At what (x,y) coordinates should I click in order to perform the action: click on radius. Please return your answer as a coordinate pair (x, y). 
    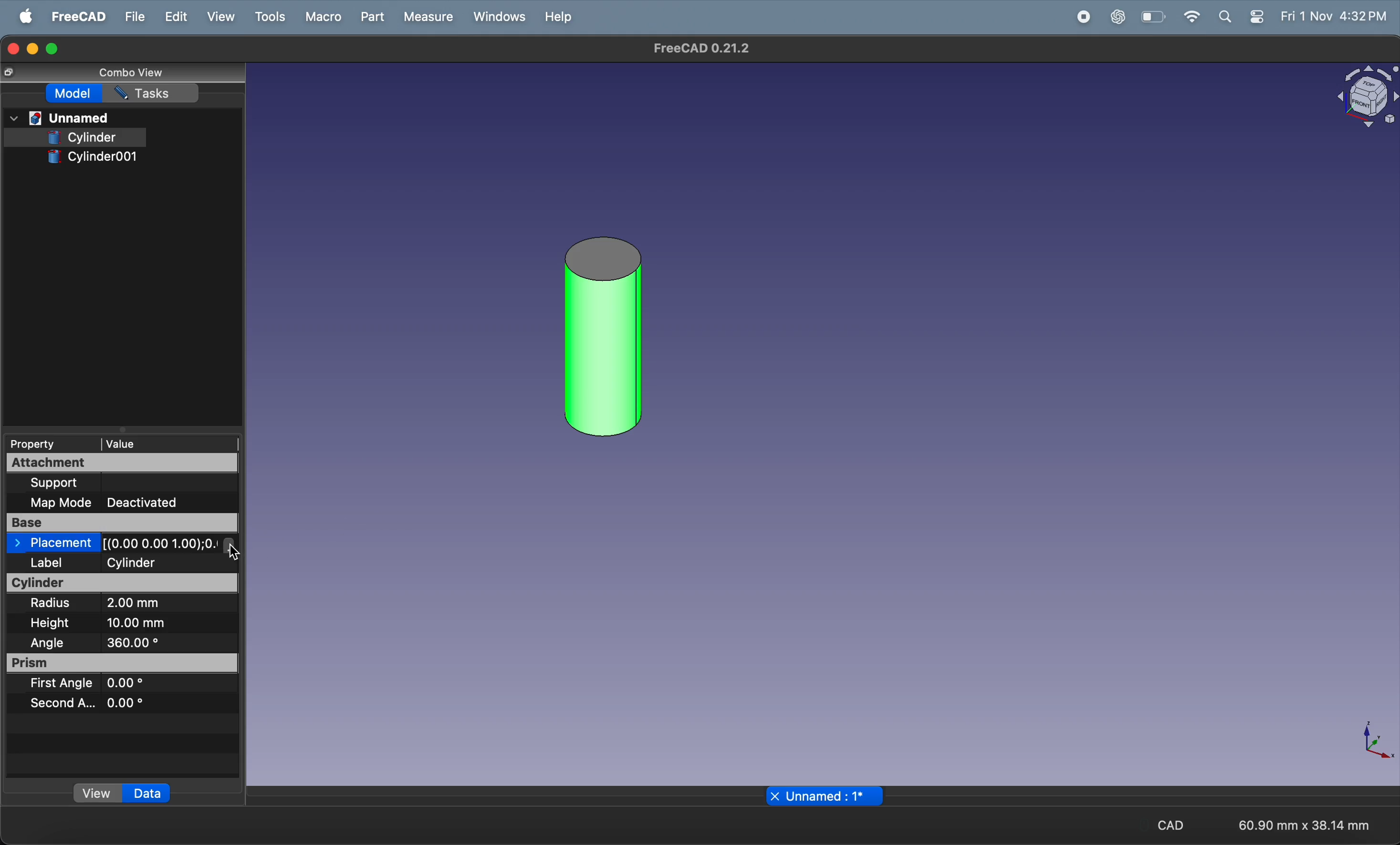
    Looking at the image, I should click on (56, 604).